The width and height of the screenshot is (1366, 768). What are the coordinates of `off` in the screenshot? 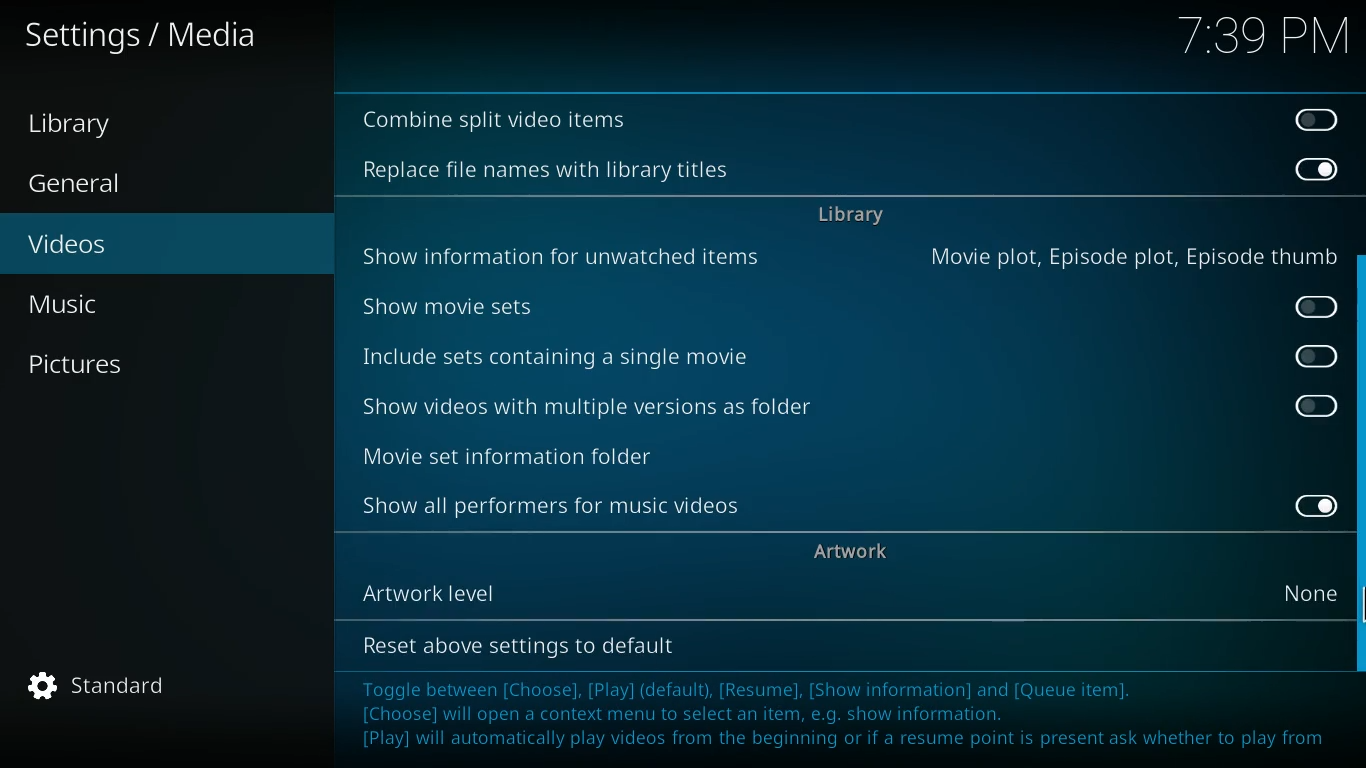 It's located at (1318, 357).